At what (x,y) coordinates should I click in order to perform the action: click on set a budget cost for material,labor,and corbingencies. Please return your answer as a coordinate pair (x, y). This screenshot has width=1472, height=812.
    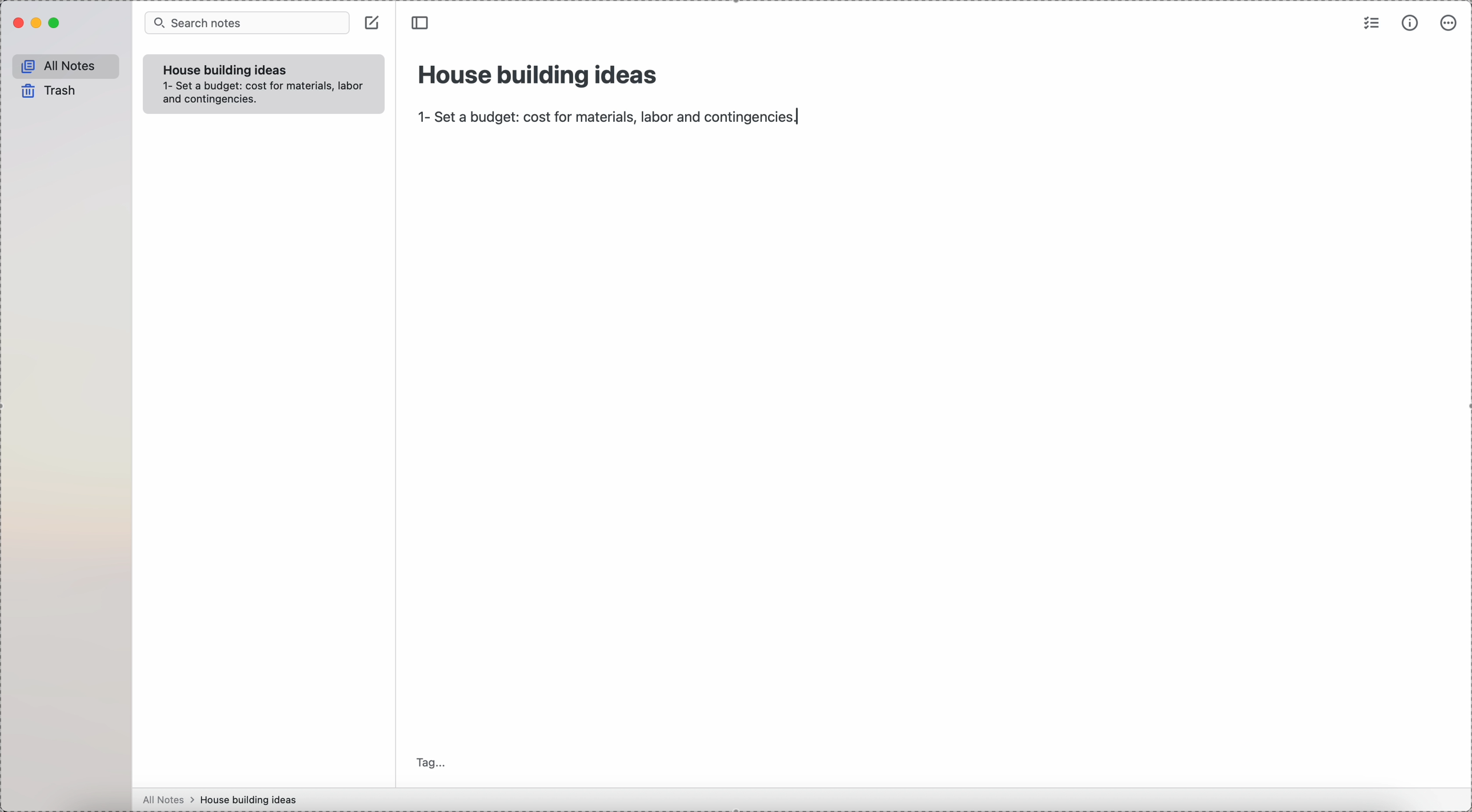
    Looking at the image, I should click on (267, 94).